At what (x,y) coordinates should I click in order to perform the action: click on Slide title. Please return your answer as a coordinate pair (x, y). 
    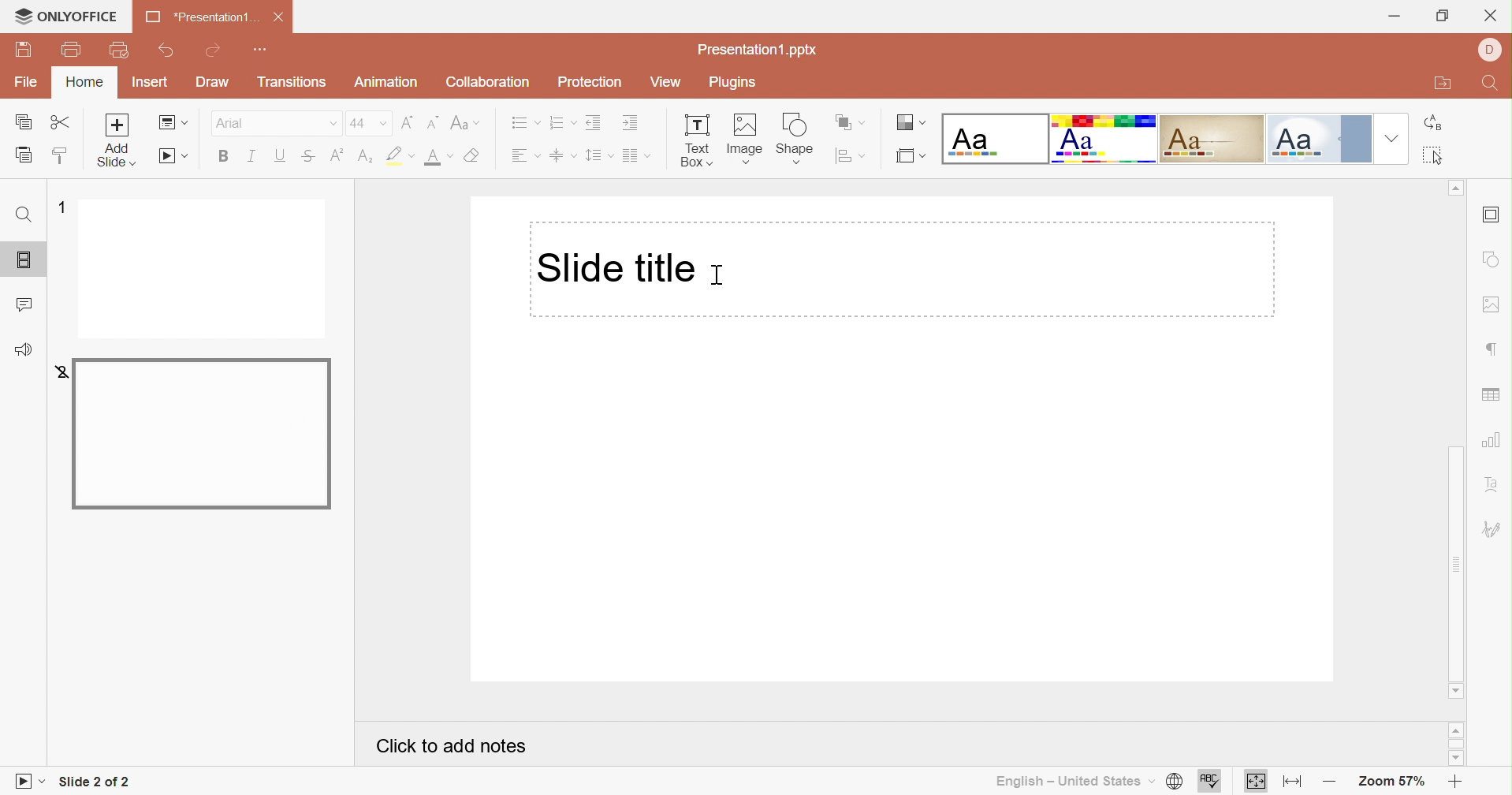
    Looking at the image, I should click on (613, 266).